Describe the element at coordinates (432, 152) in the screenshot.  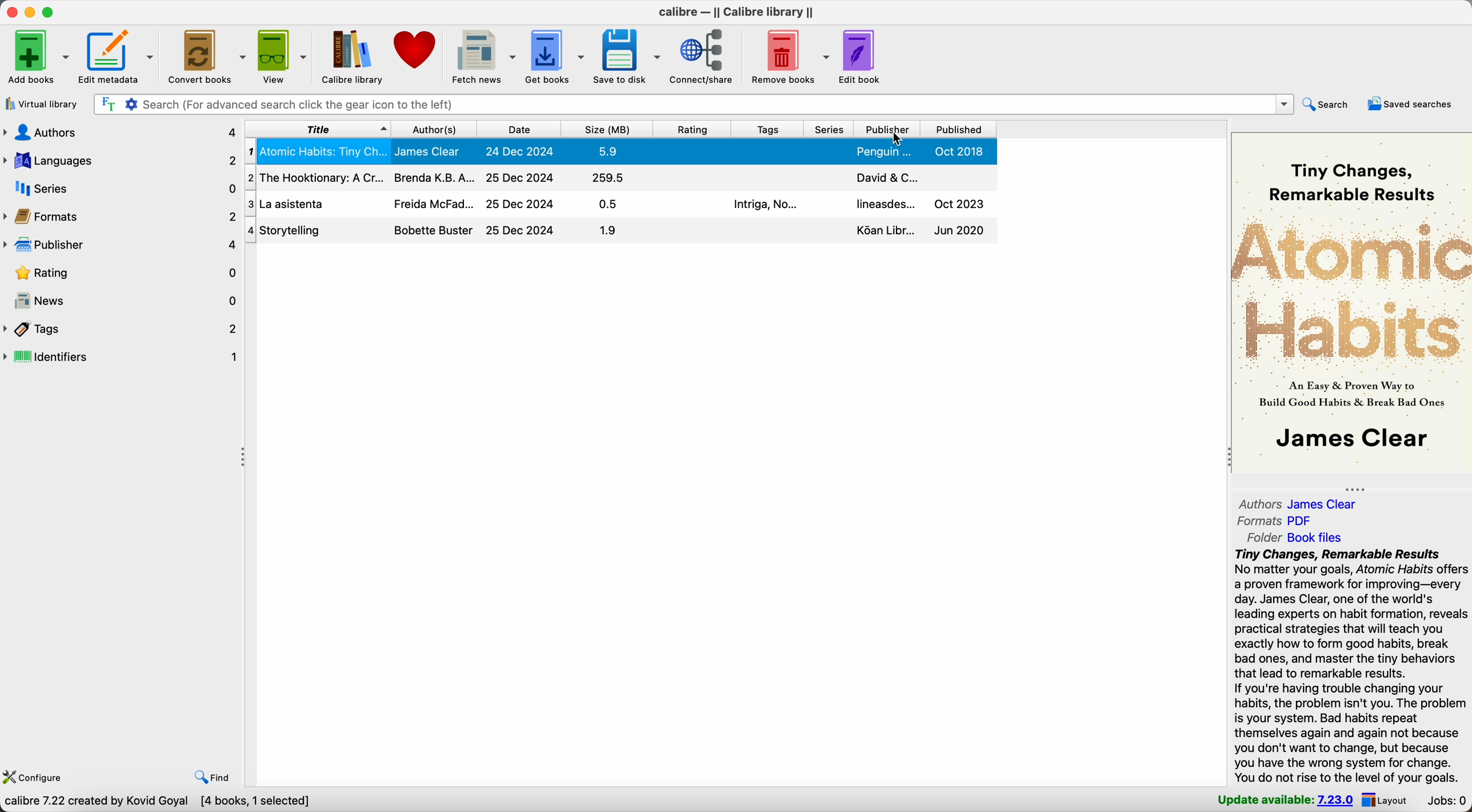
I see `james clear` at that location.